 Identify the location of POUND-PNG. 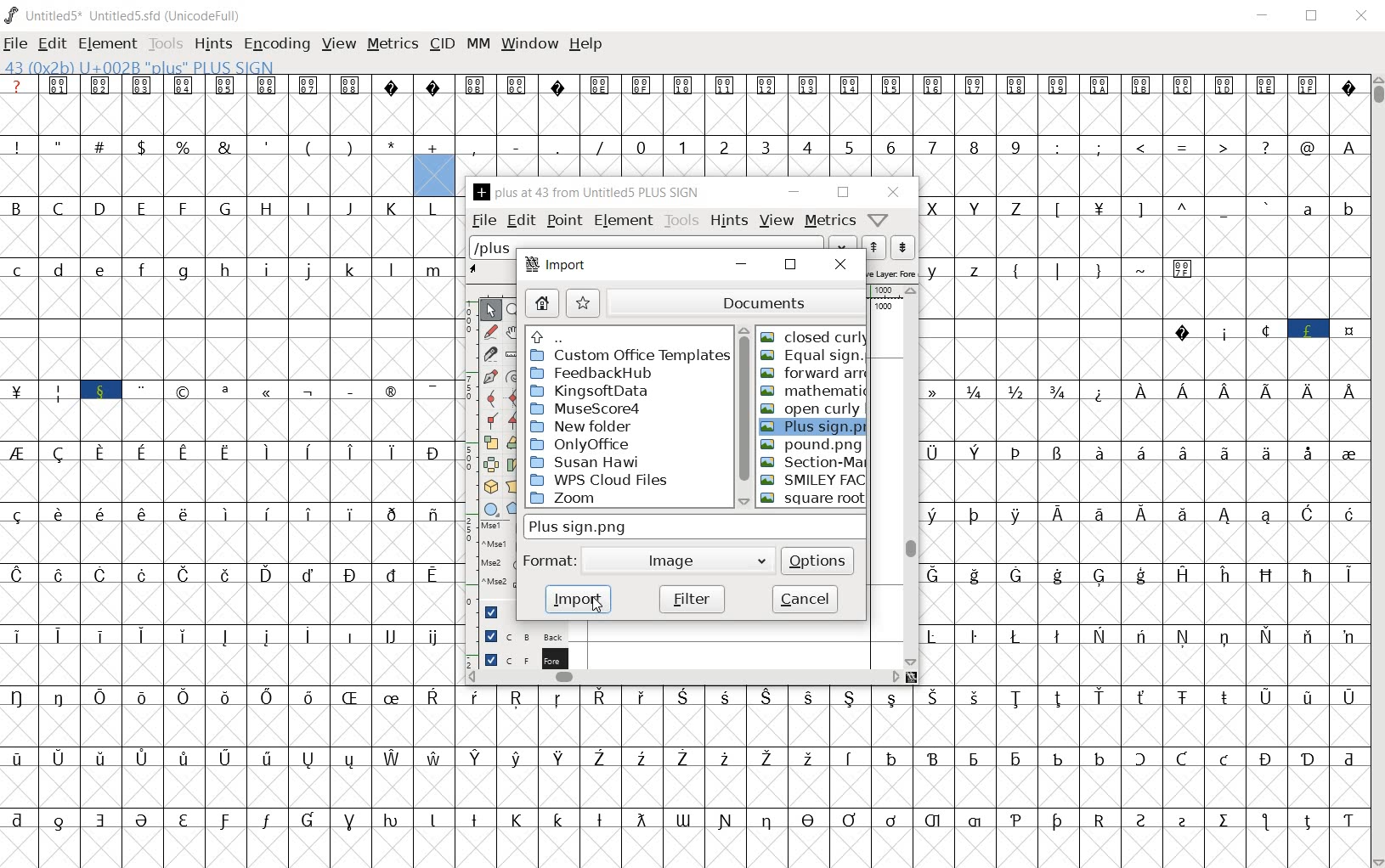
(813, 446).